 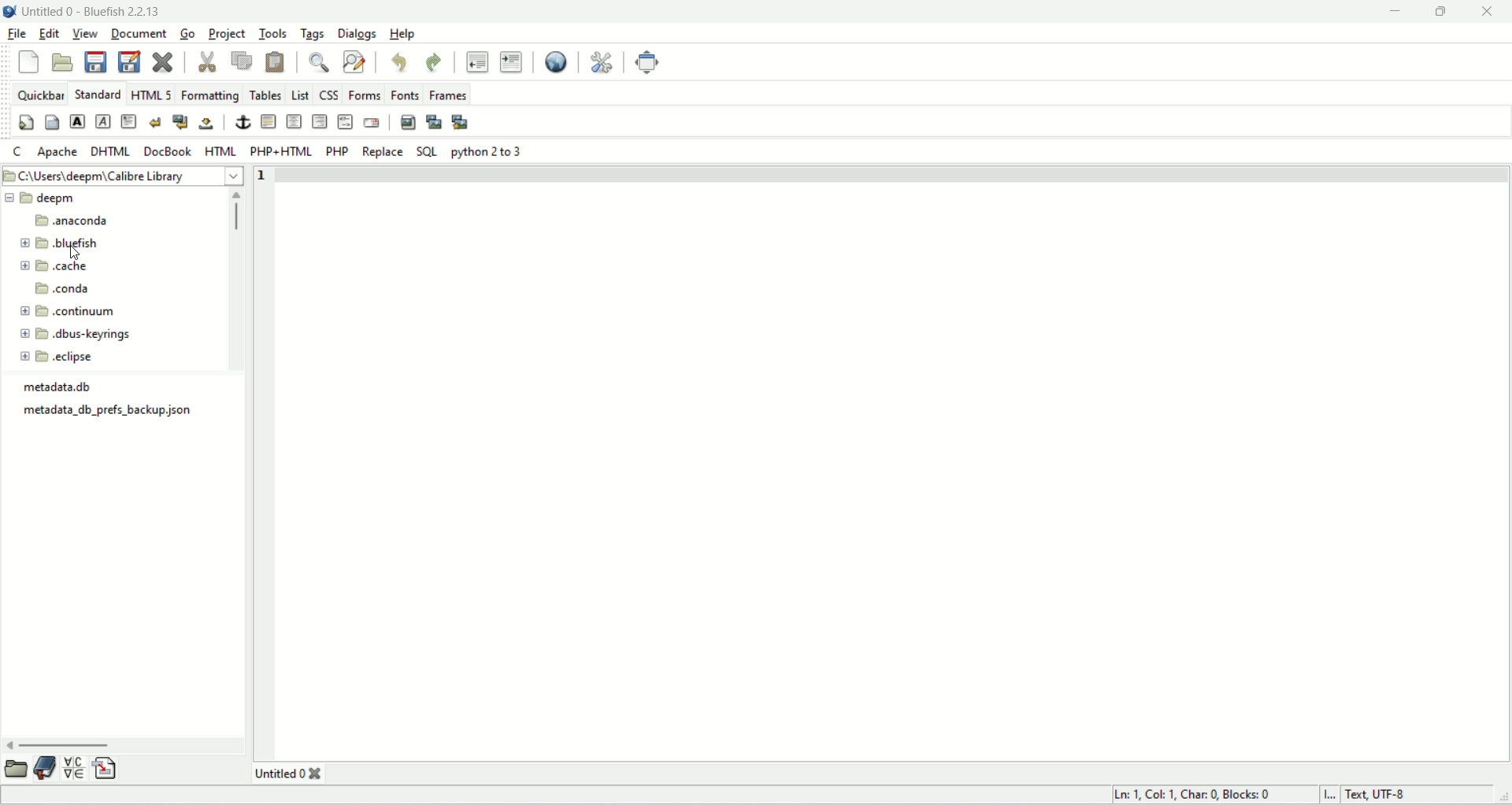 What do you see at coordinates (1485, 13) in the screenshot?
I see `close` at bounding box center [1485, 13].